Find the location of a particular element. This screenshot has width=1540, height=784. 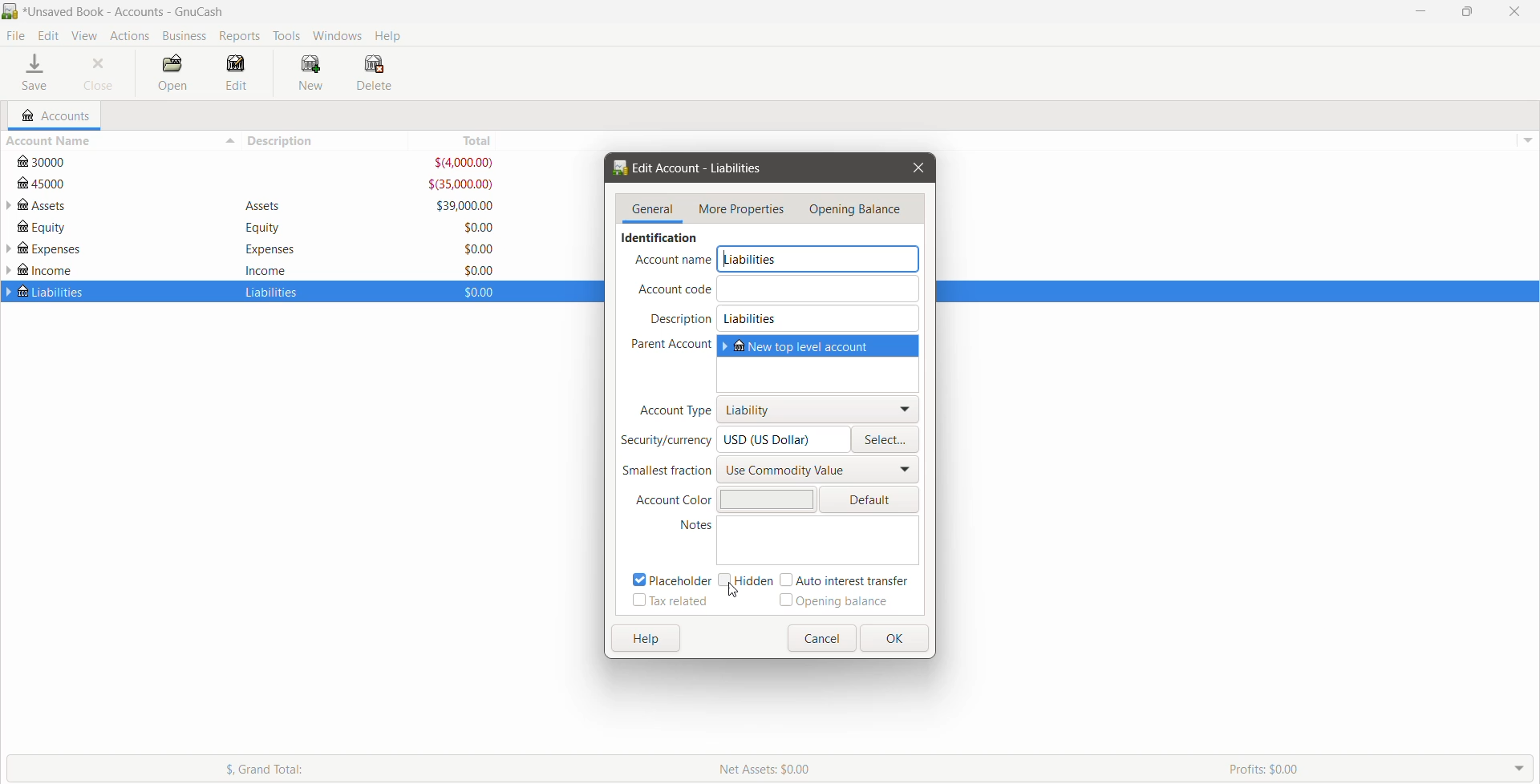

Net Assets is located at coordinates (963, 769).